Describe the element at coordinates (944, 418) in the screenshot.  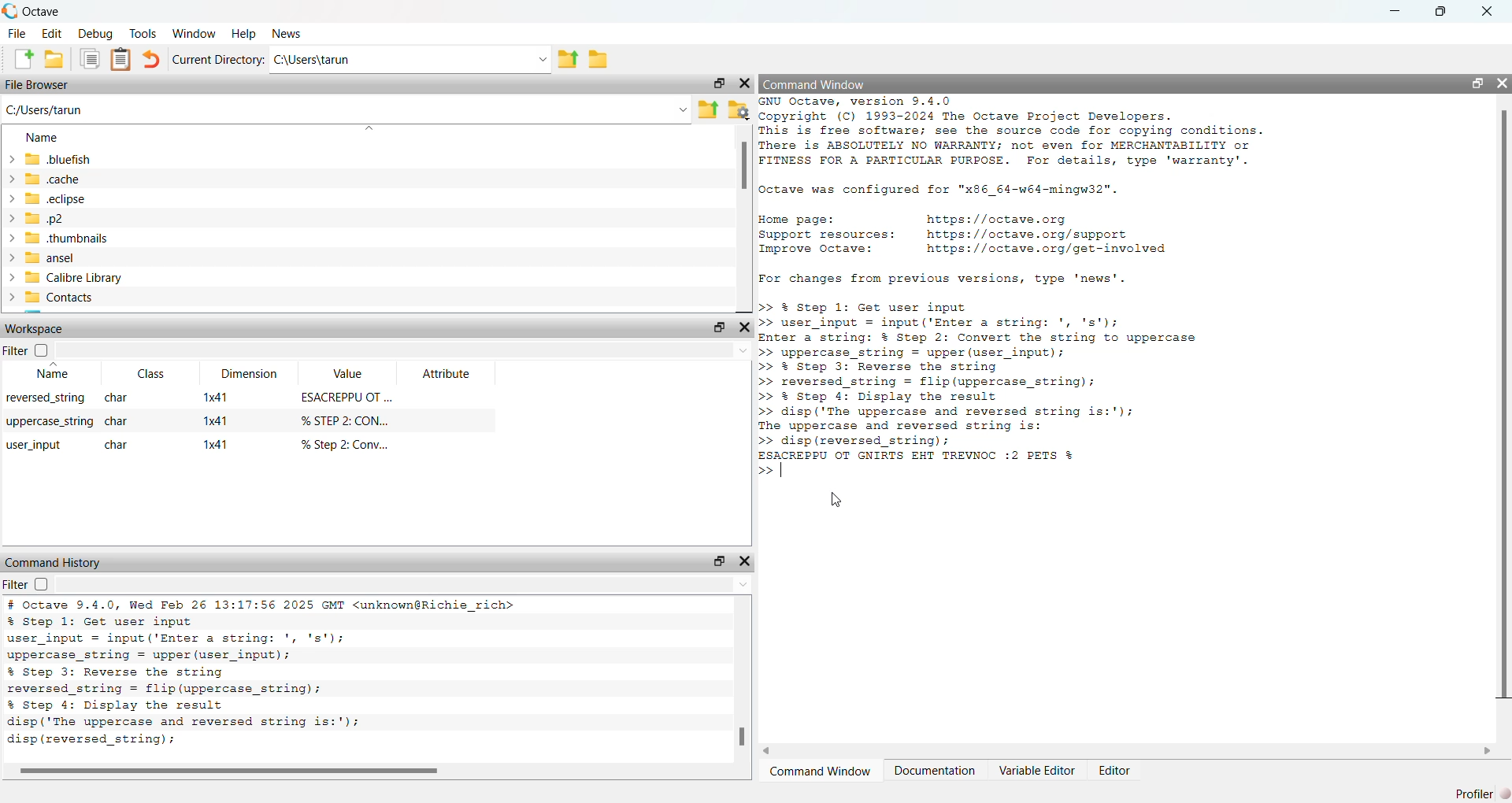
I see `code to display the result` at that location.